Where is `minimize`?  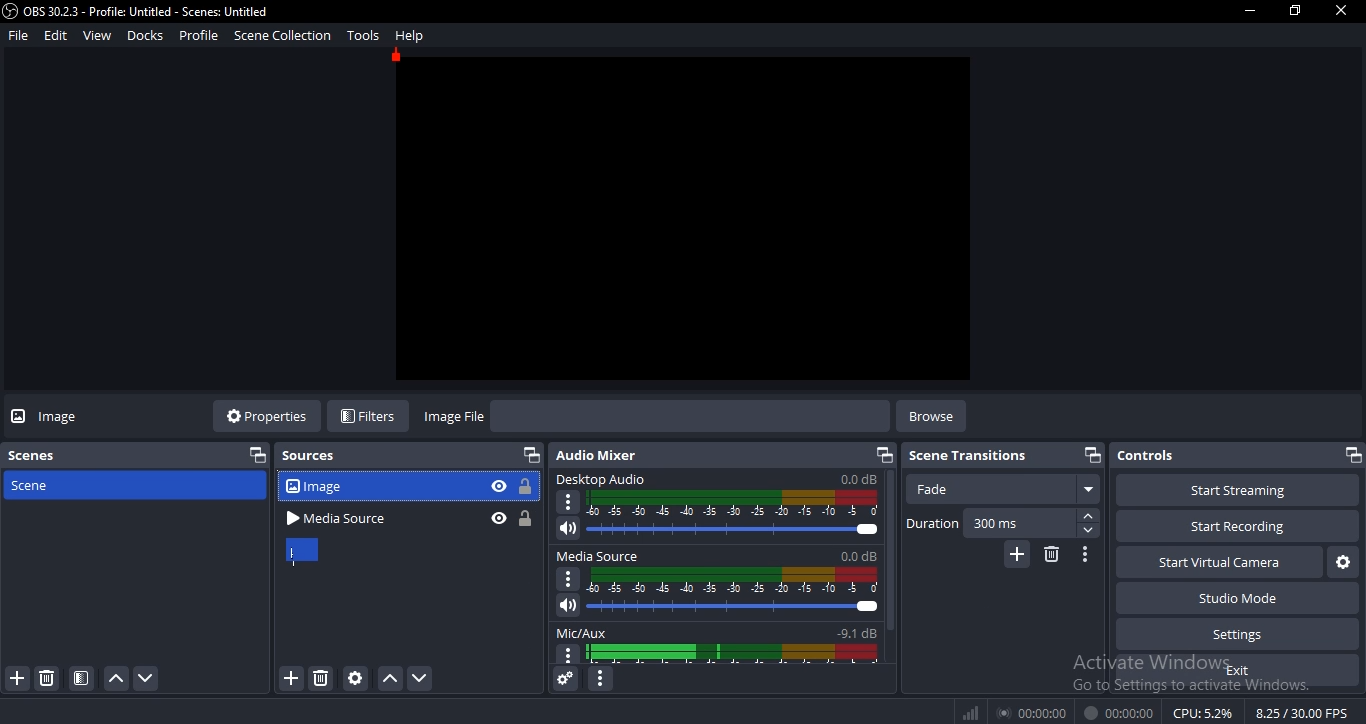
minimize is located at coordinates (1247, 11).